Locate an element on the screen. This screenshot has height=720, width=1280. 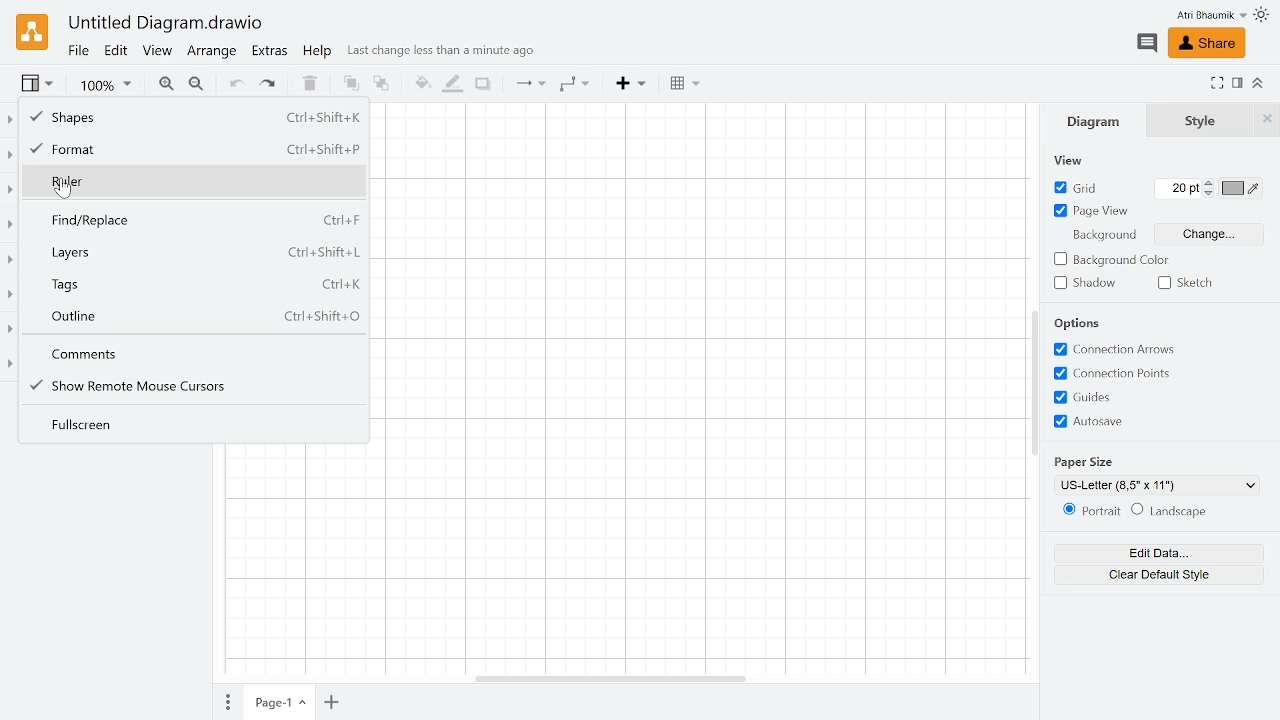
View is located at coordinates (159, 51).